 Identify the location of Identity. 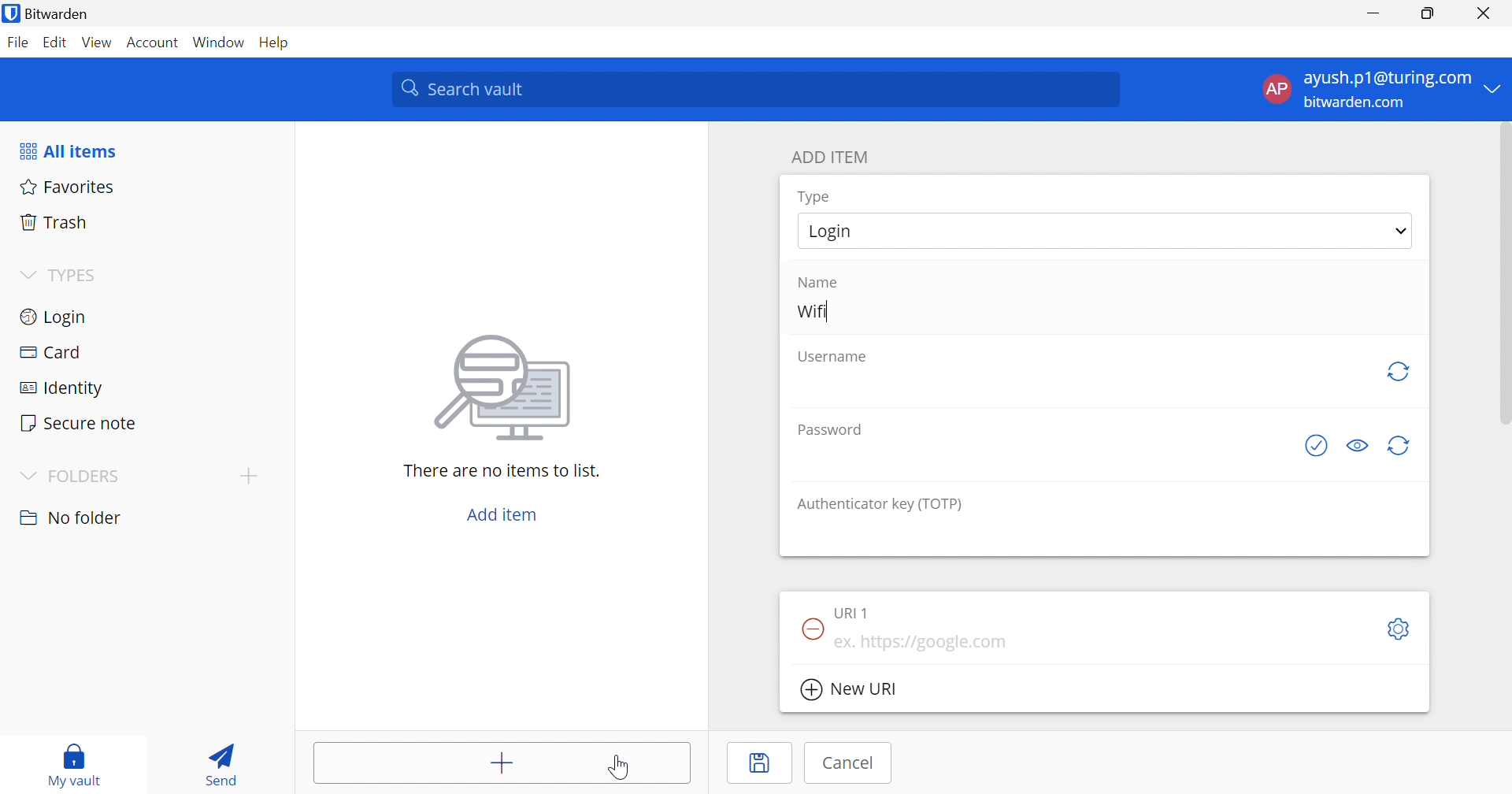
(64, 389).